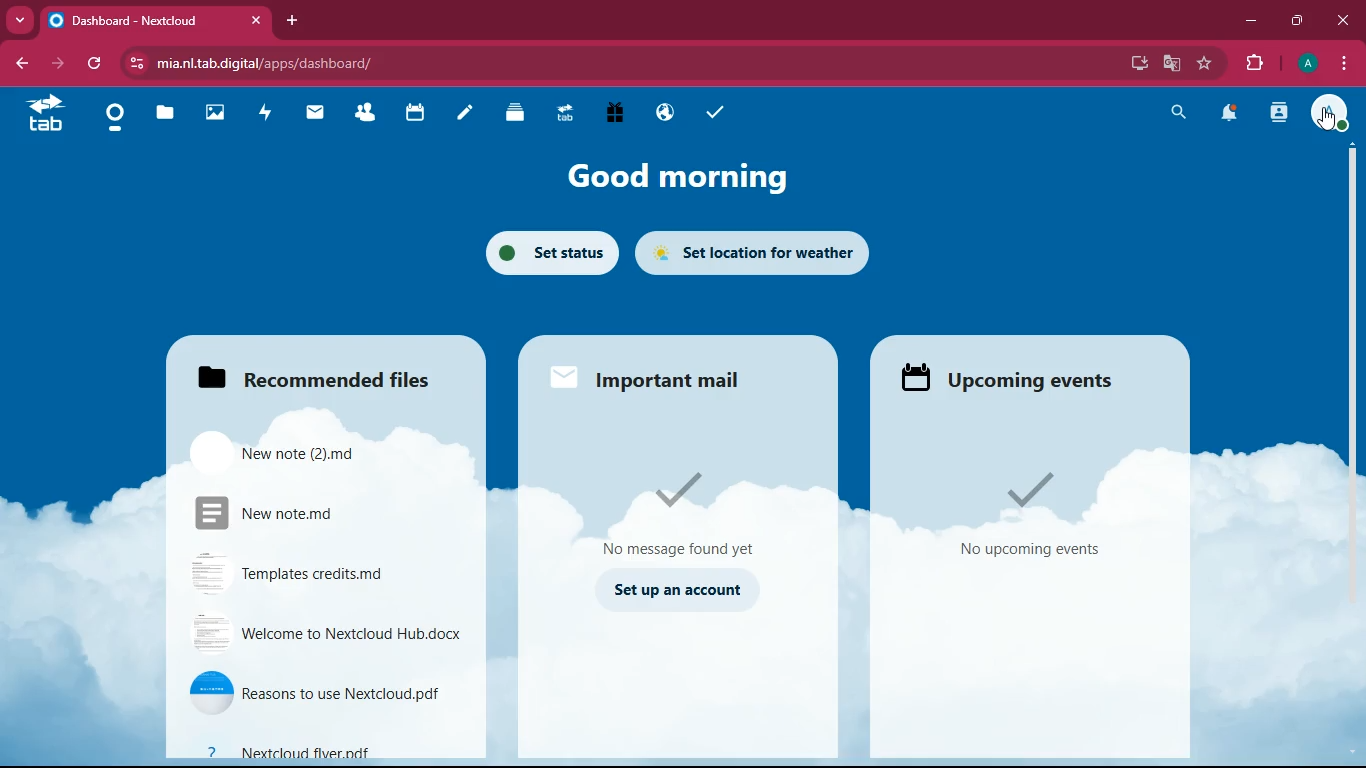 Image resolution: width=1366 pixels, height=768 pixels. What do you see at coordinates (22, 20) in the screenshot?
I see `more` at bounding box center [22, 20].